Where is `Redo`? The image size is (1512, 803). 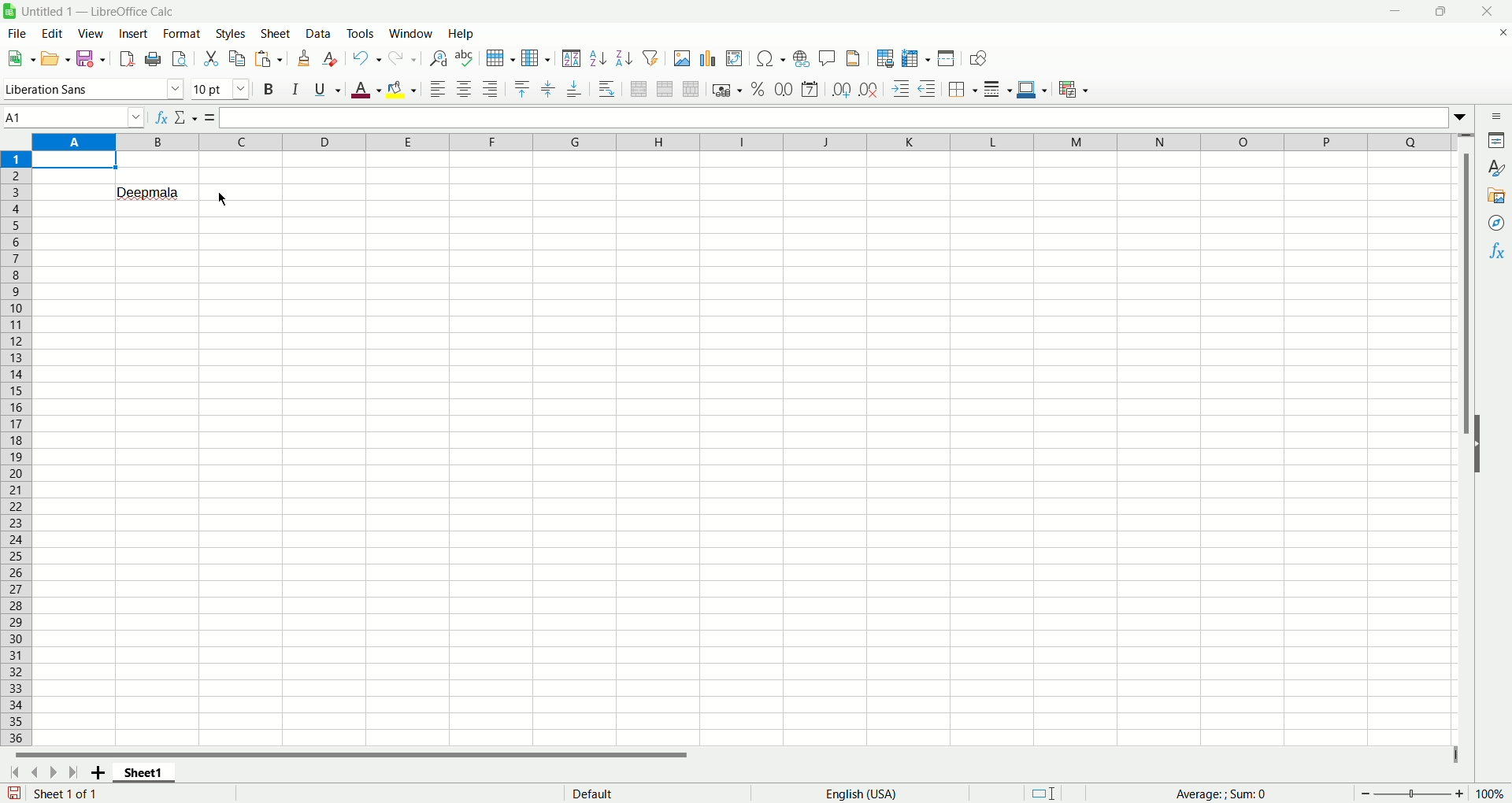 Redo is located at coordinates (403, 59).